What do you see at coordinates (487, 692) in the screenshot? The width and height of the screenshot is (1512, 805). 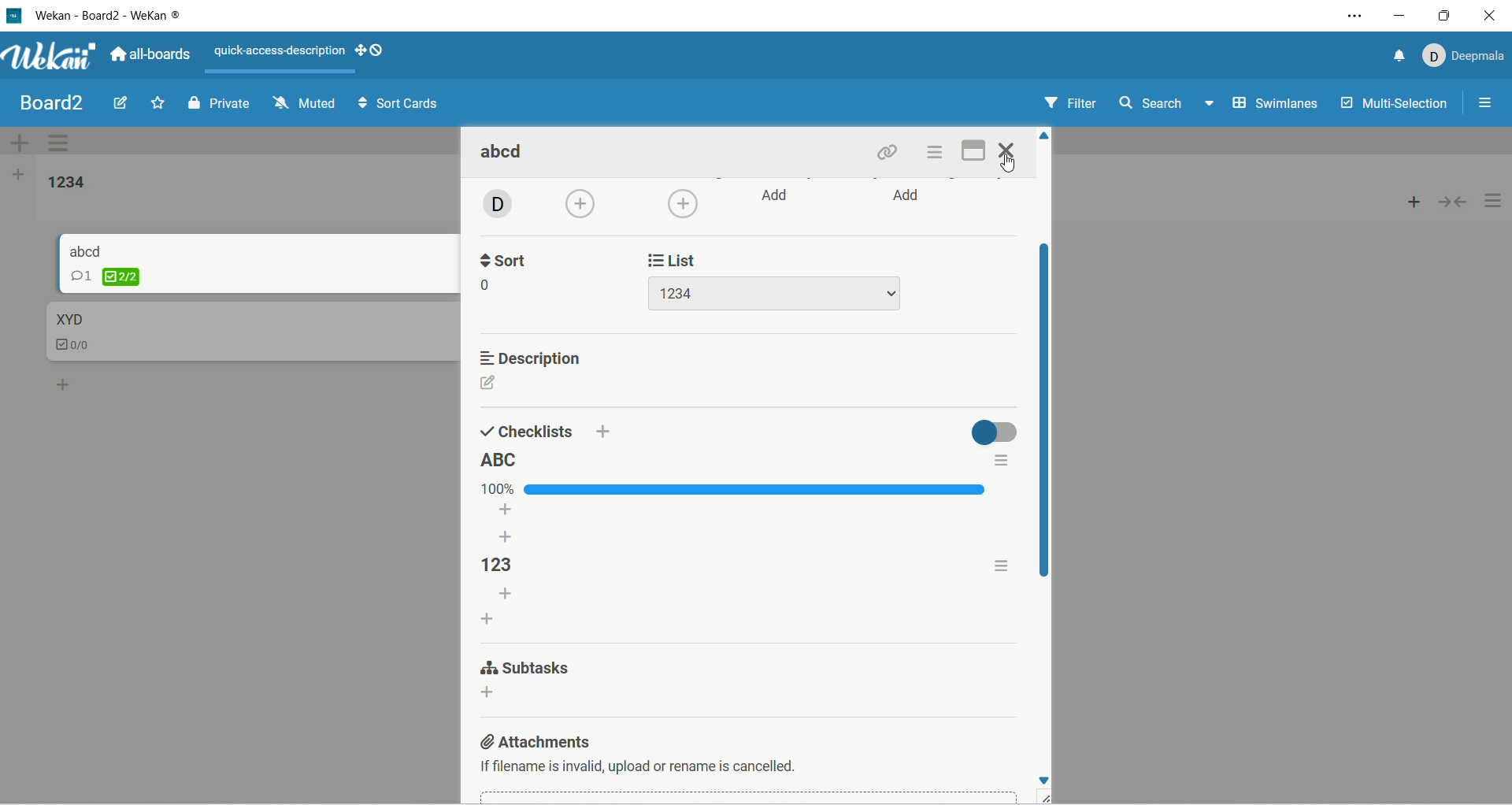 I see `add` at bounding box center [487, 692].